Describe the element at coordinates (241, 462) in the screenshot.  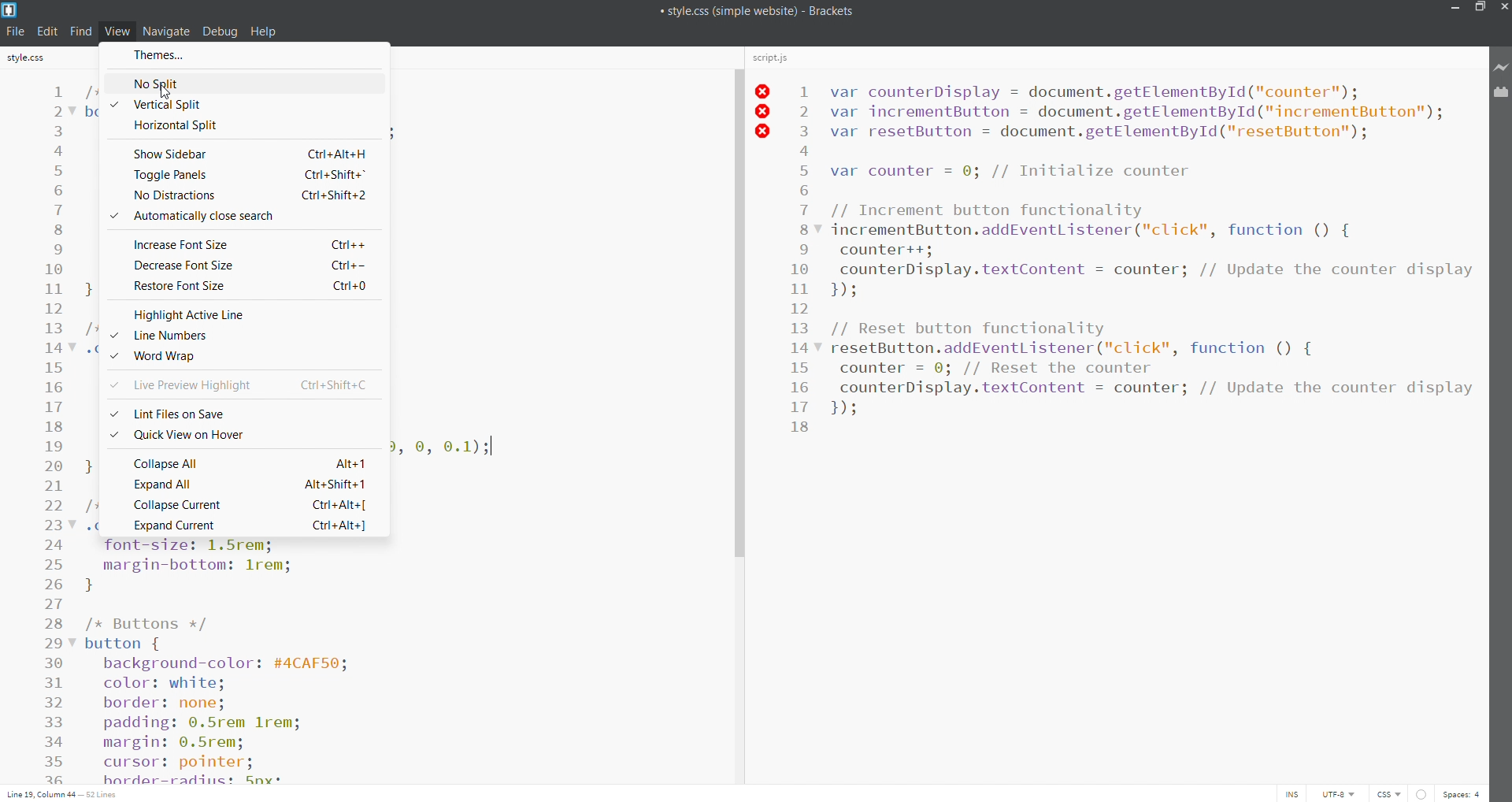
I see `collapse all` at that location.